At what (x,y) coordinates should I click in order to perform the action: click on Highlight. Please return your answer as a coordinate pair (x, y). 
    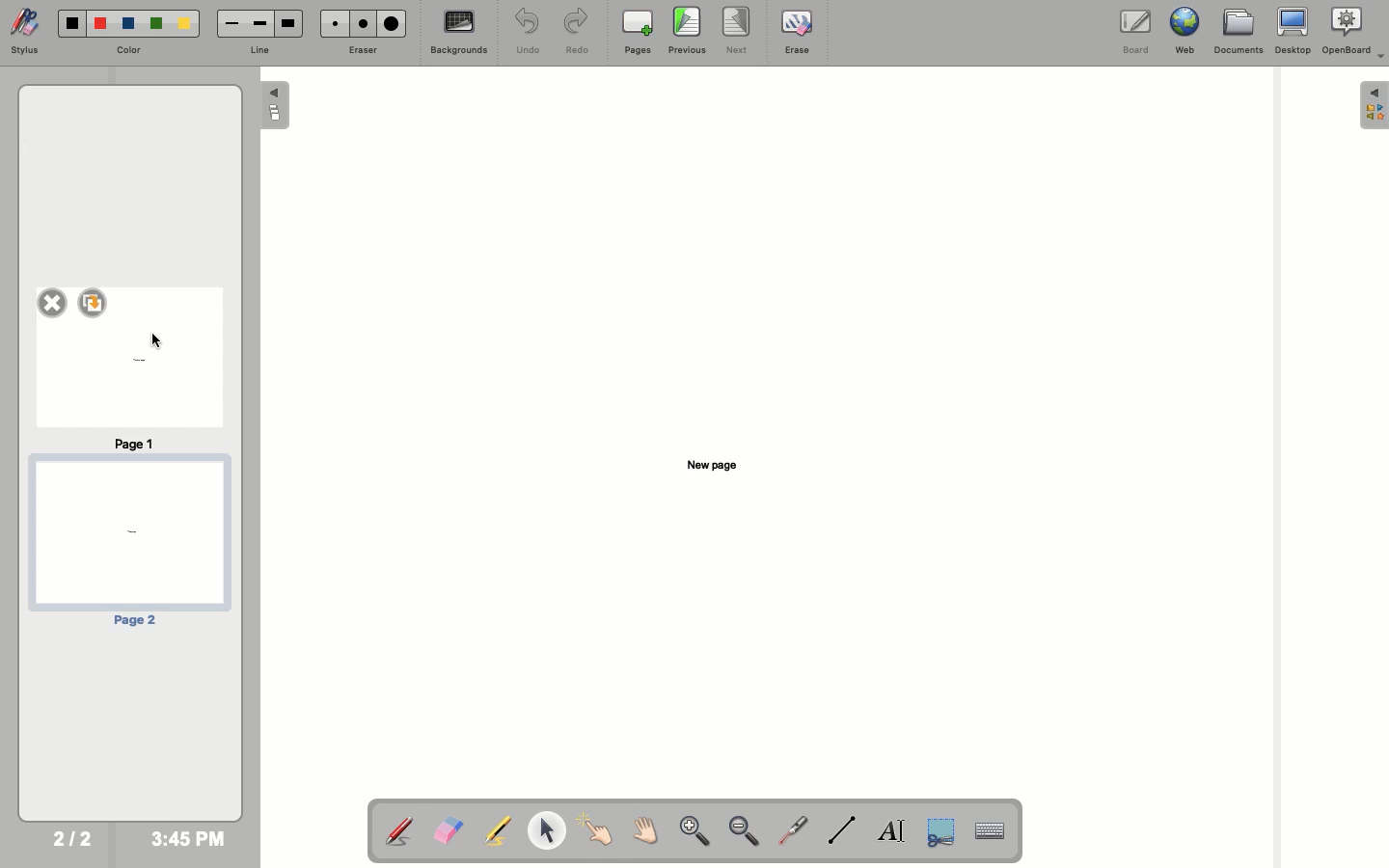
    Looking at the image, I should click on (494, 830).